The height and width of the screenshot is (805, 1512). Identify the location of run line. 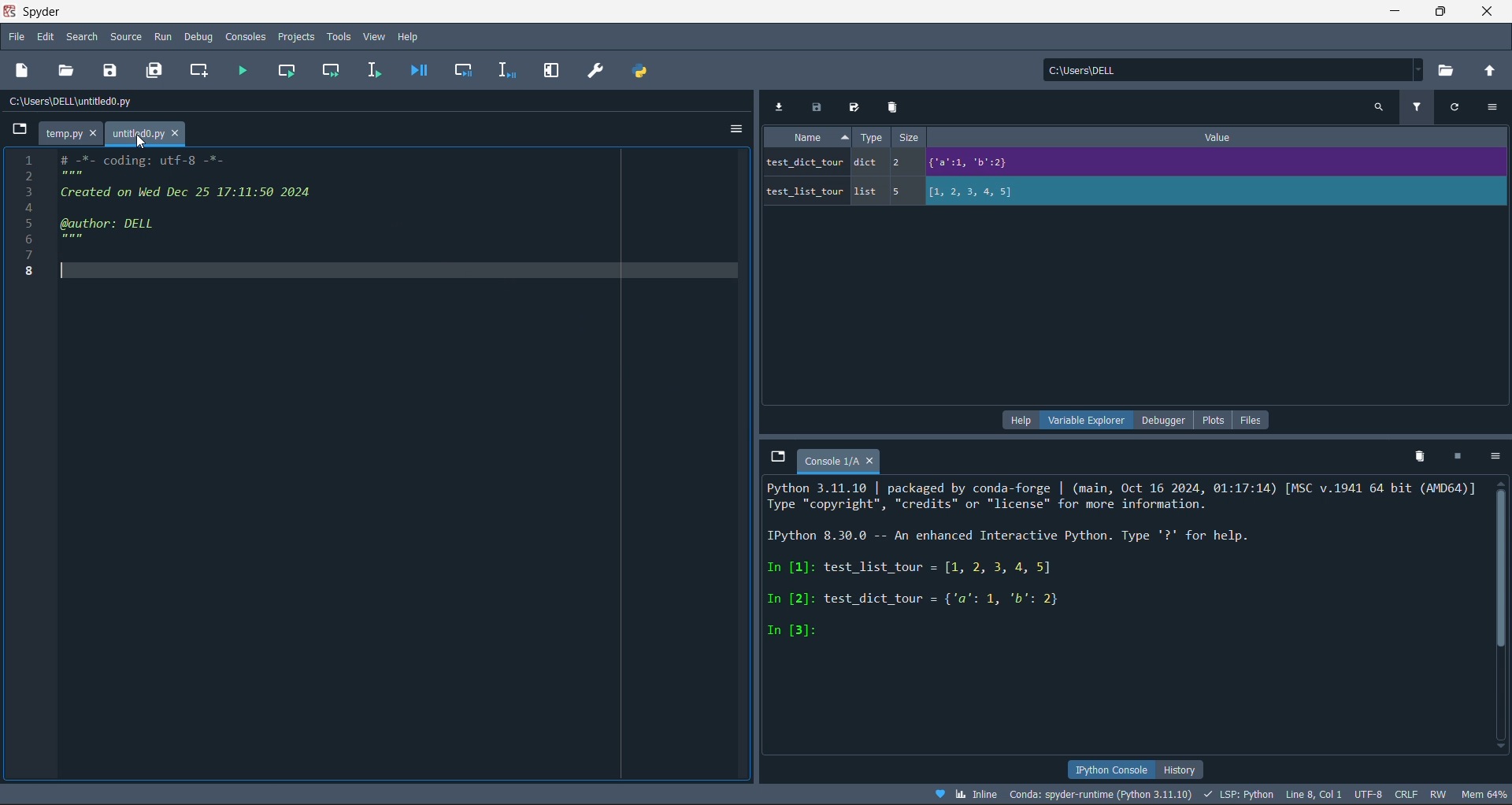
(372, 69).